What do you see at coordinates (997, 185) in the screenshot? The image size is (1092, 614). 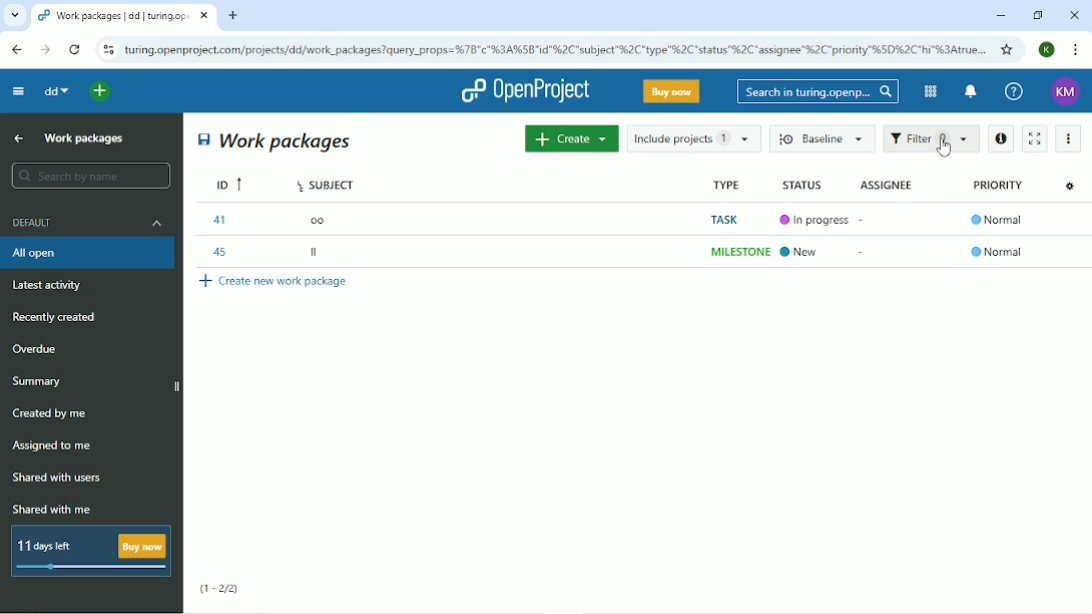 I see `Priority` at bounding box center [997, 185].